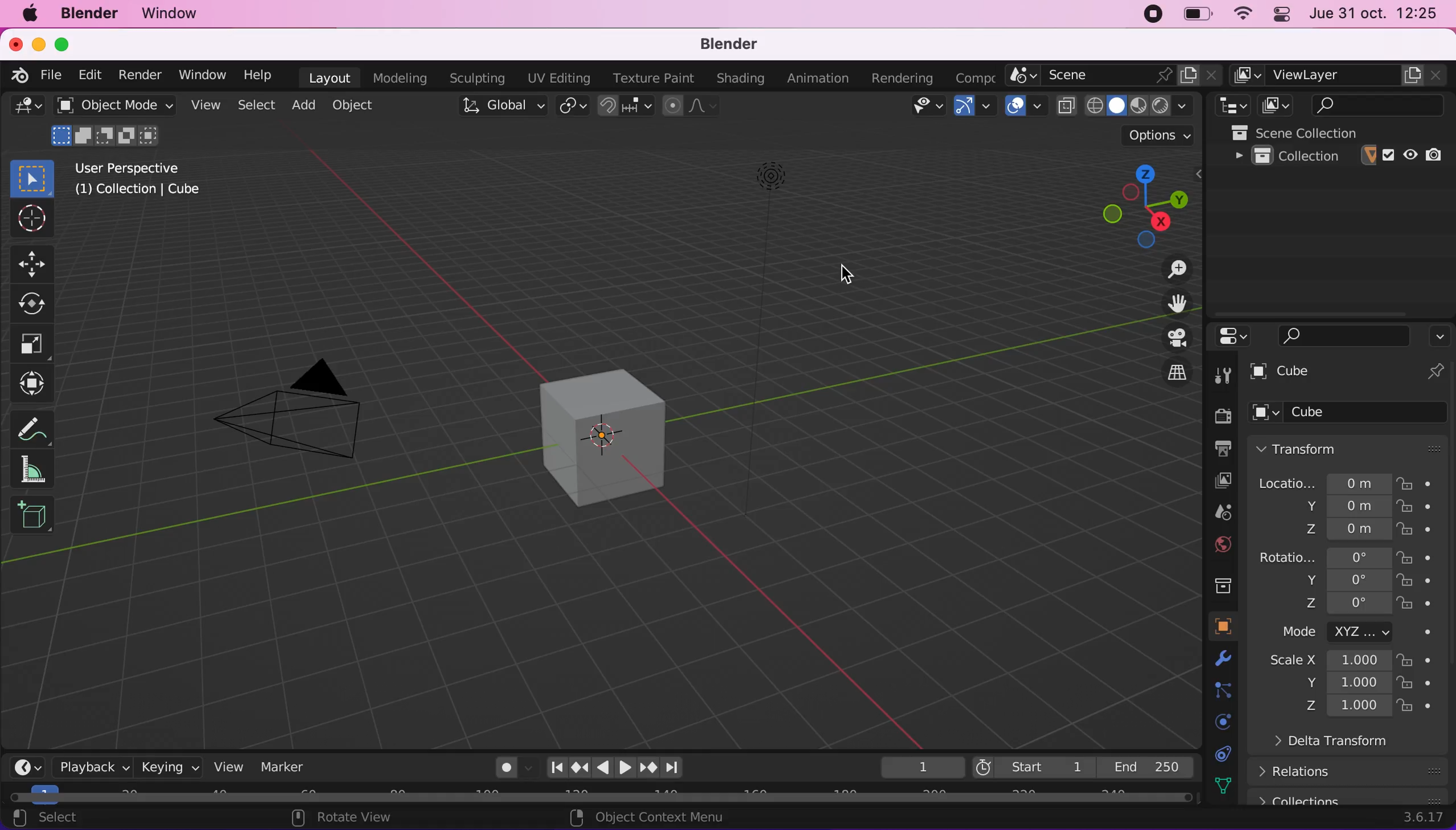 This screenshot has width=1456, height=830. I want to click on object, so click(353, 107).